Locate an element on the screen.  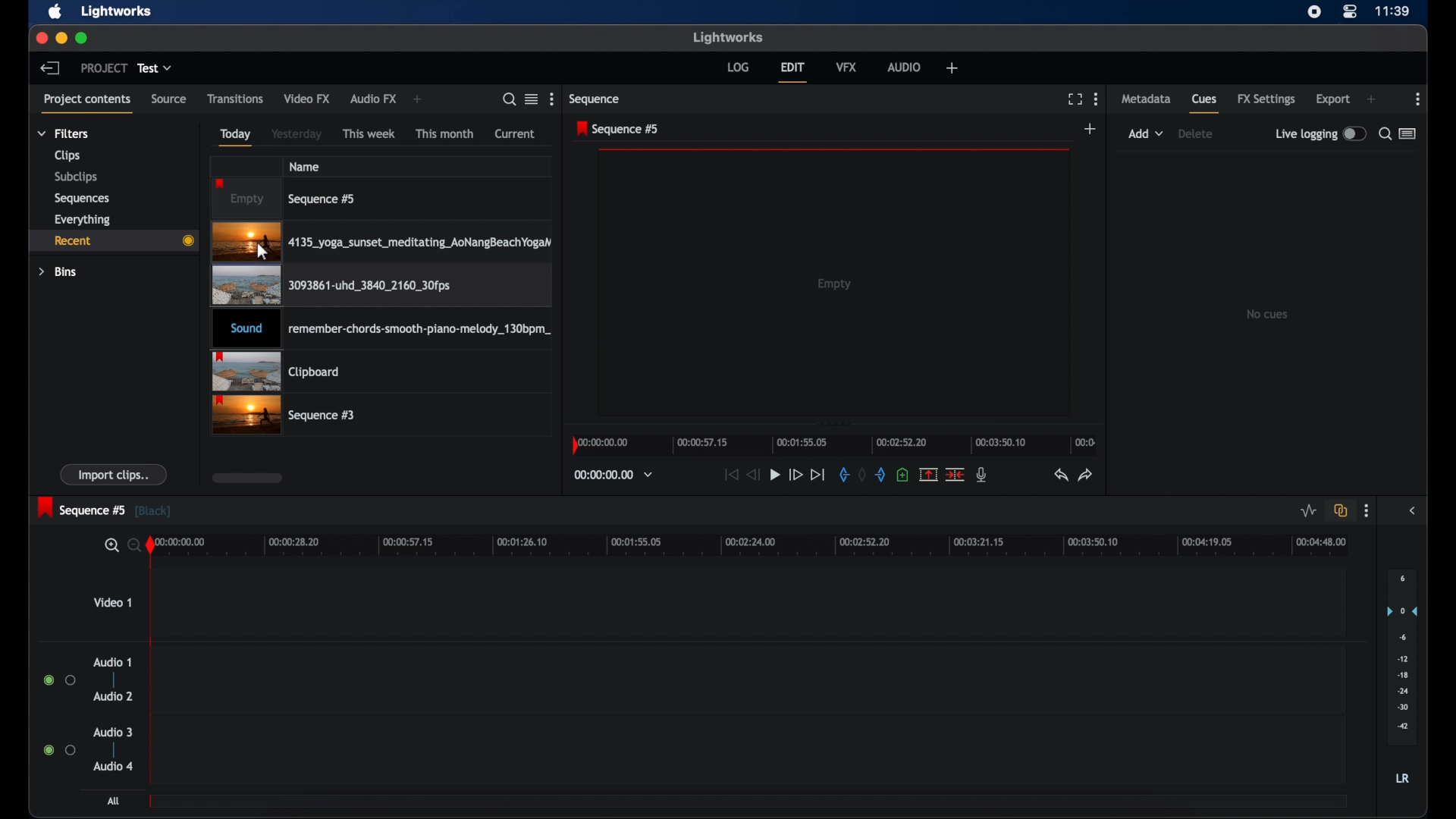
timecodes and reels is located at coordinates (617, 474).